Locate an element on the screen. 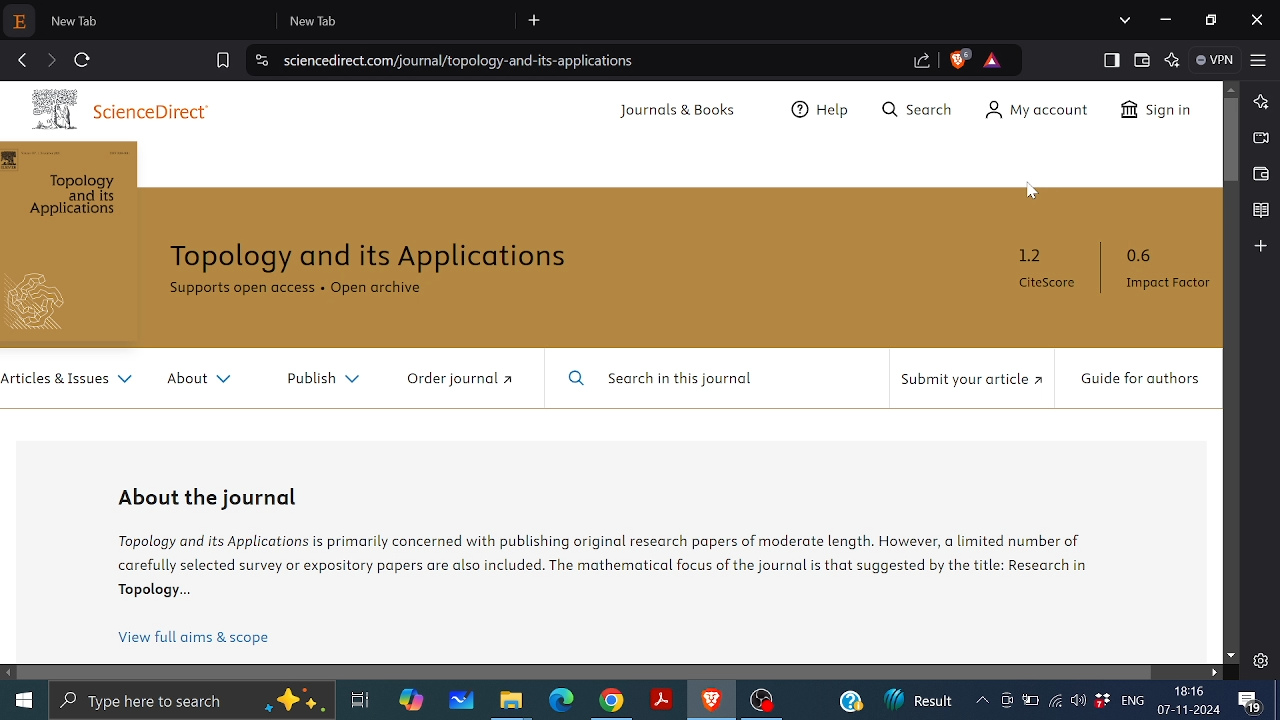 This screenshot has height=720, width=1280. whiteboard is located at coordinates (462, 701).